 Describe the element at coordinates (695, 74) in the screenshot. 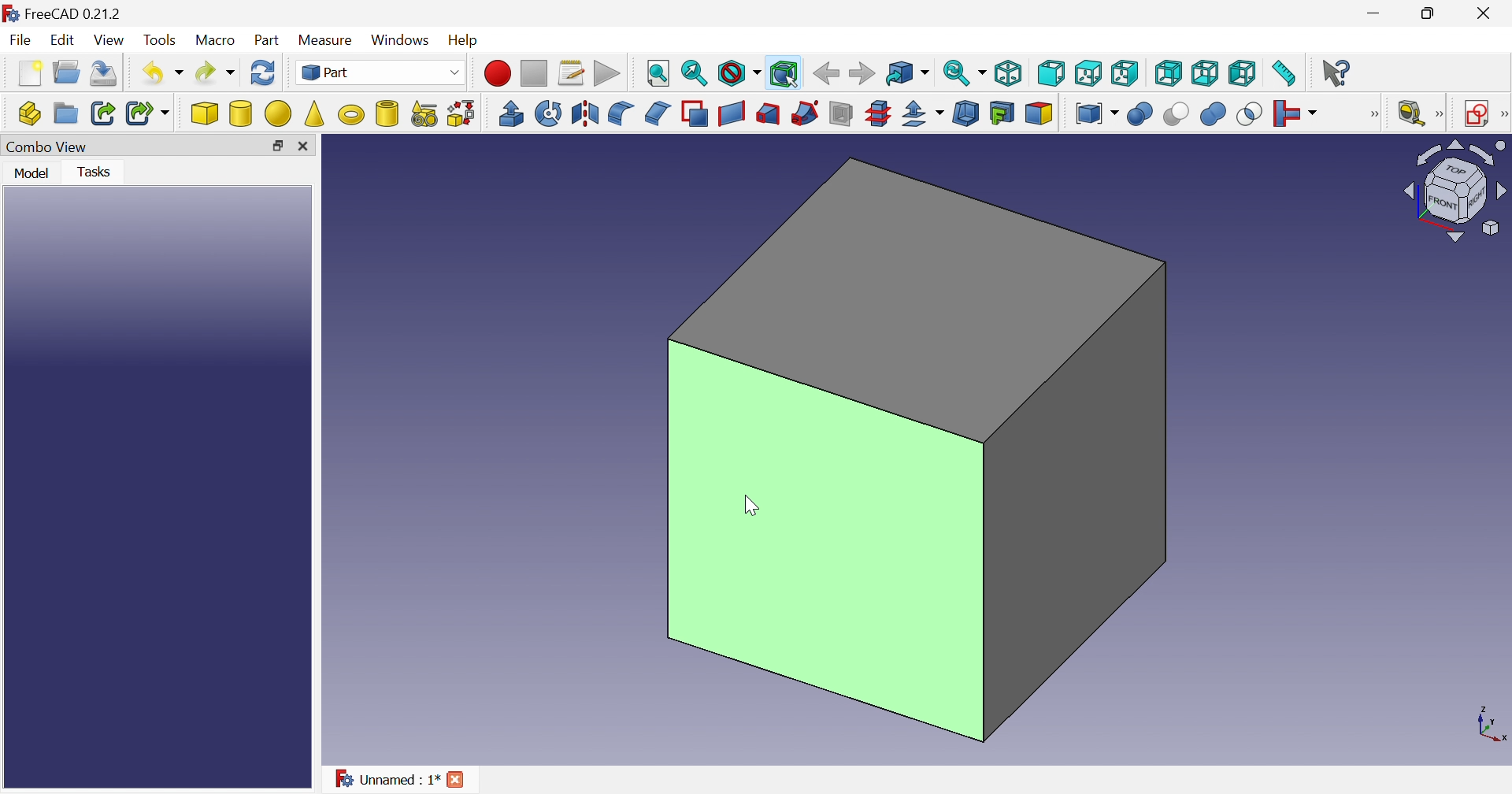

I see `Fit selection` at that location.